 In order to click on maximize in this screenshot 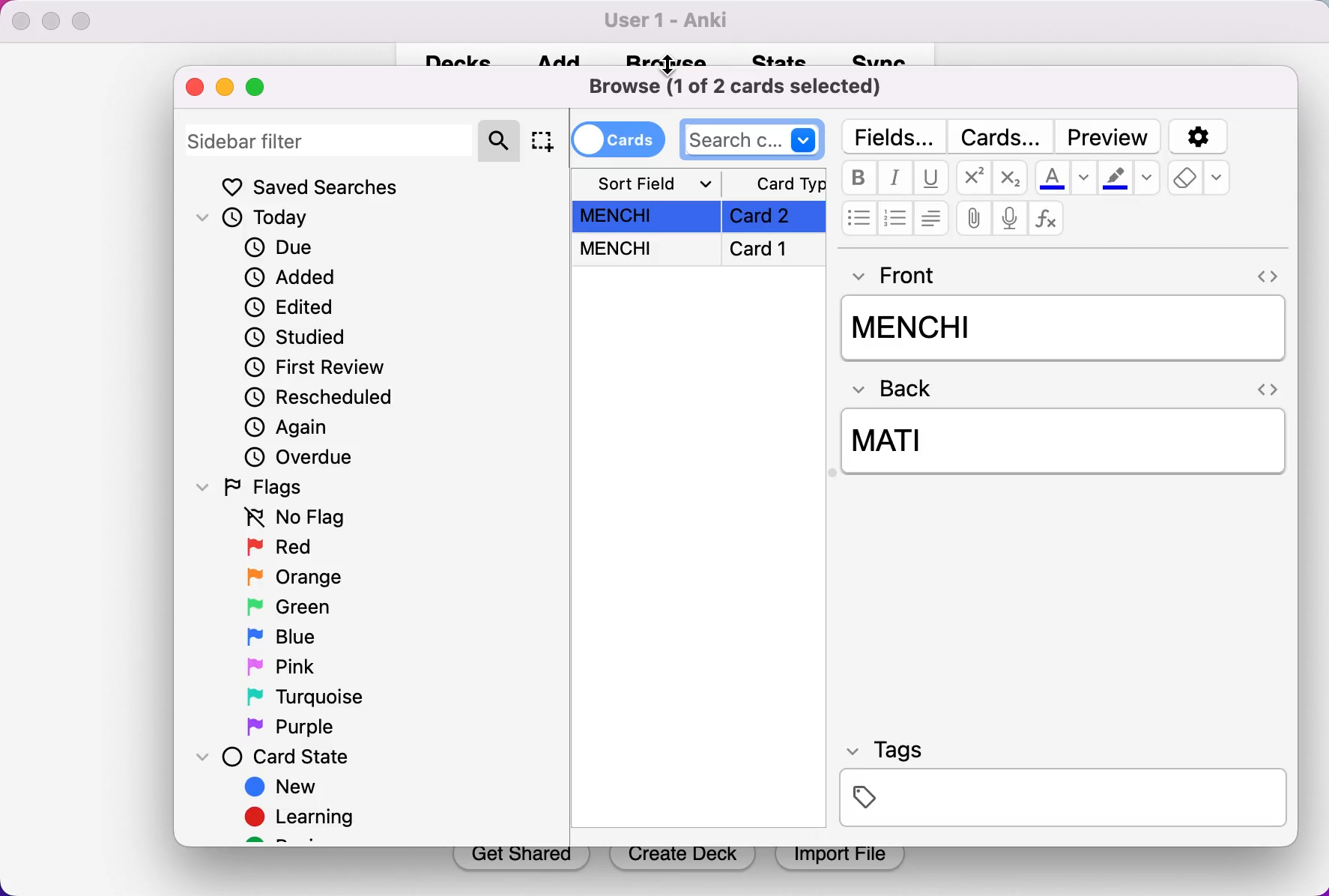, I will do `click(255, 89)`.